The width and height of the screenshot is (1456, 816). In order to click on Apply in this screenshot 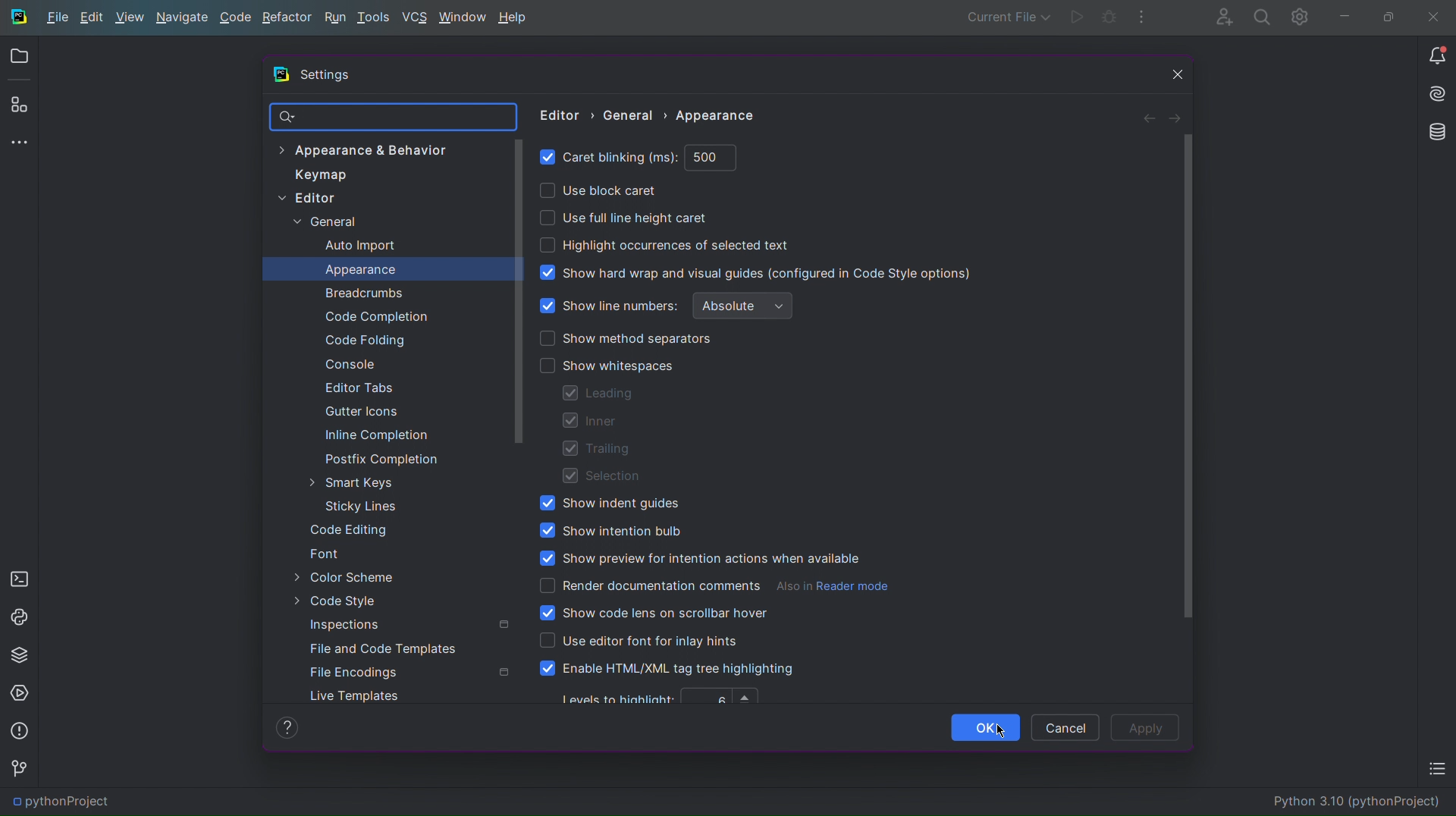, I will do `click(1145, 727)`.